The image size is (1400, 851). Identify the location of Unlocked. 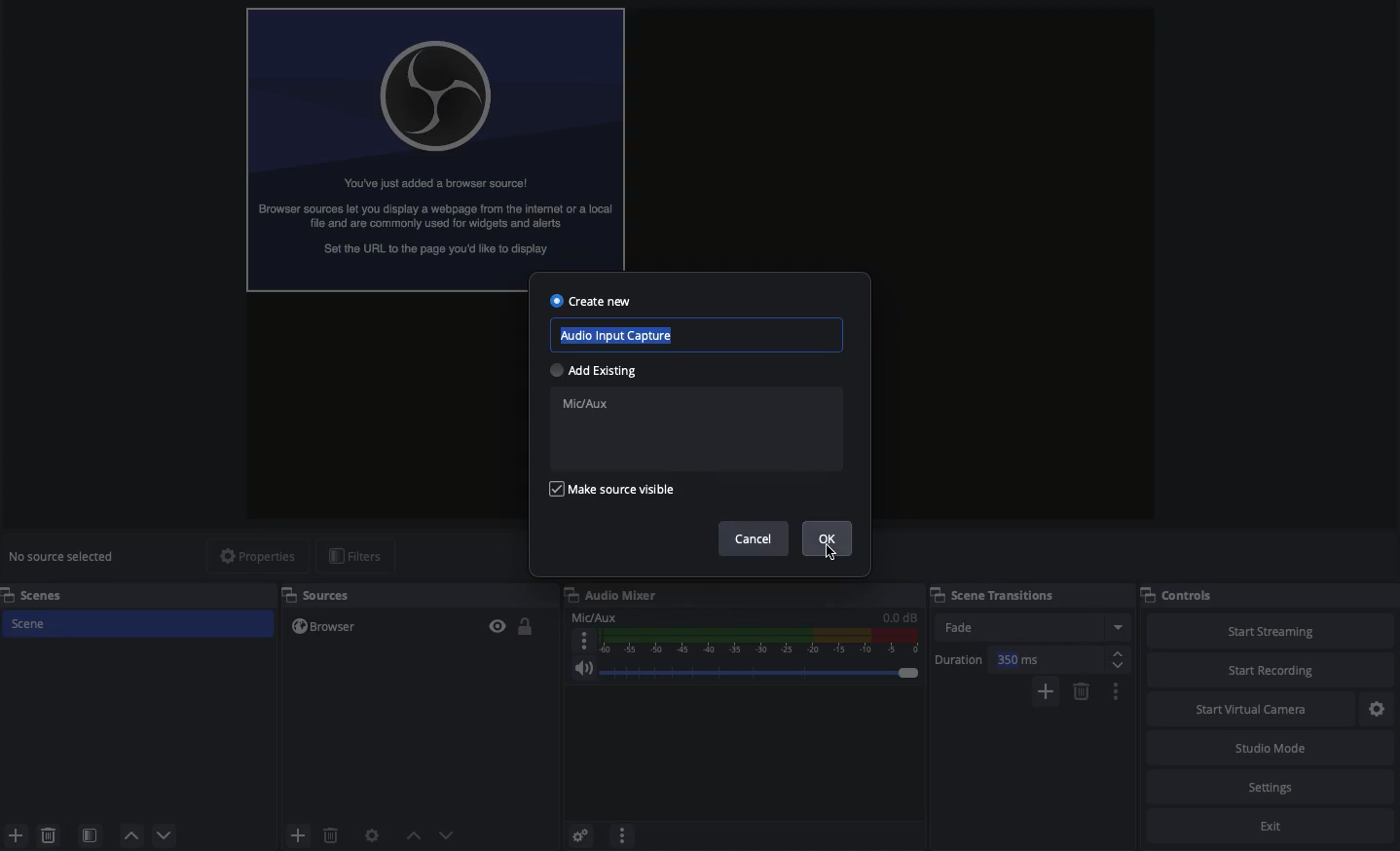
(528, 625).